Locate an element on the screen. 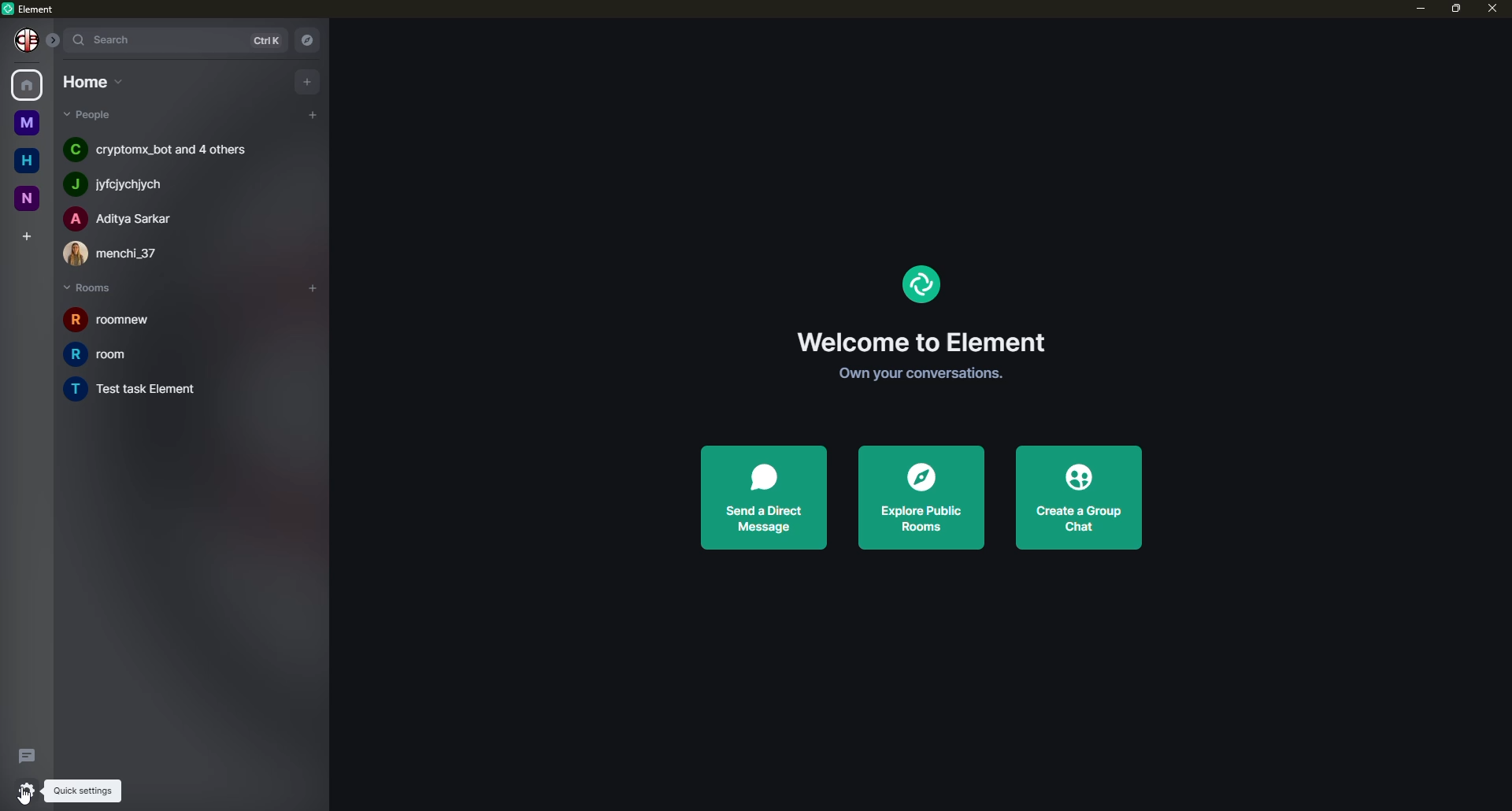 Image resolution: width=1512 pixels, height=811 pixels. add is located at coordinates (314, 286).